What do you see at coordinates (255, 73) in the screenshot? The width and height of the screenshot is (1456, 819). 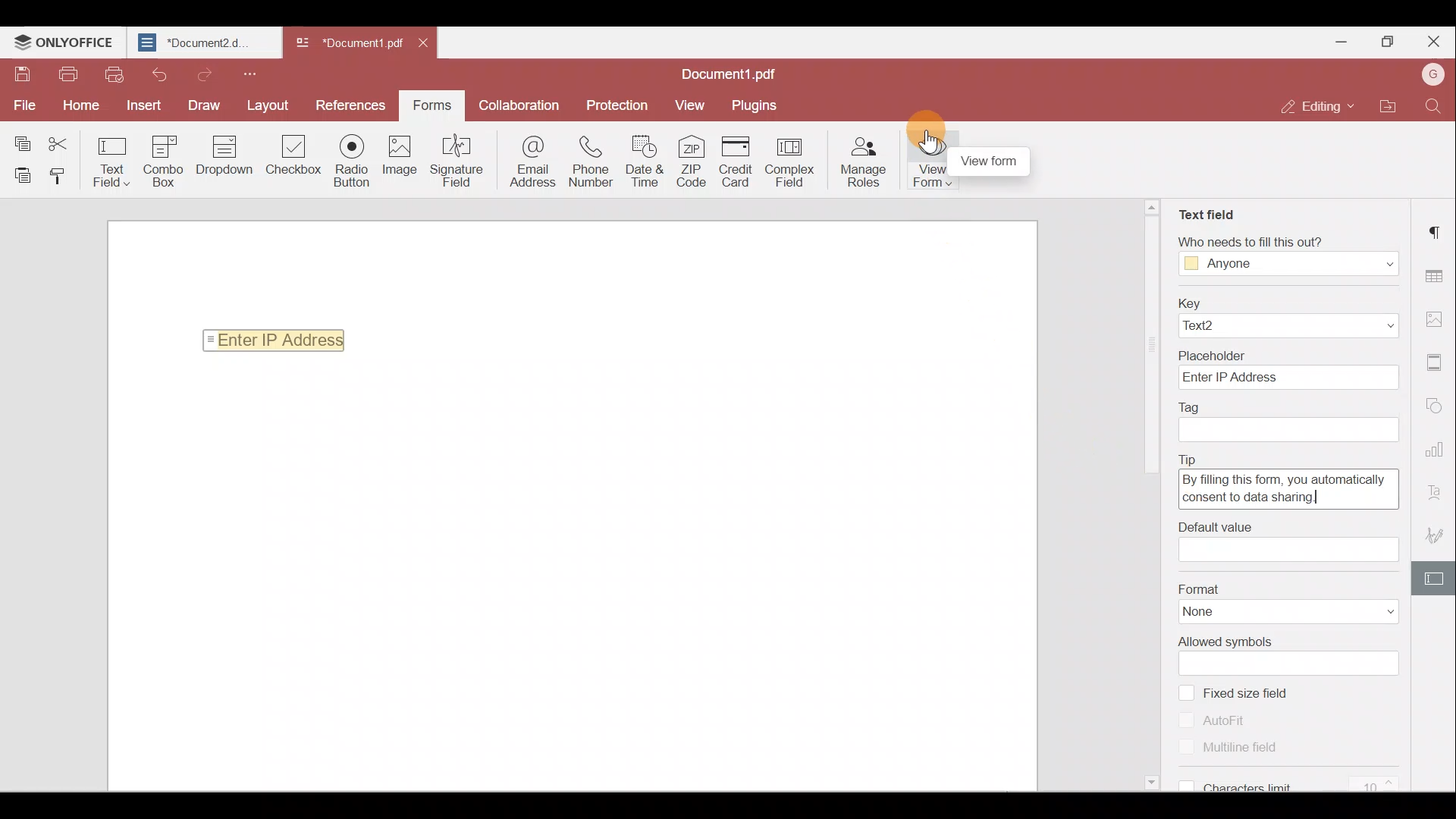 I see `Customize quick access toolbar` at bounding box center [255, 73].